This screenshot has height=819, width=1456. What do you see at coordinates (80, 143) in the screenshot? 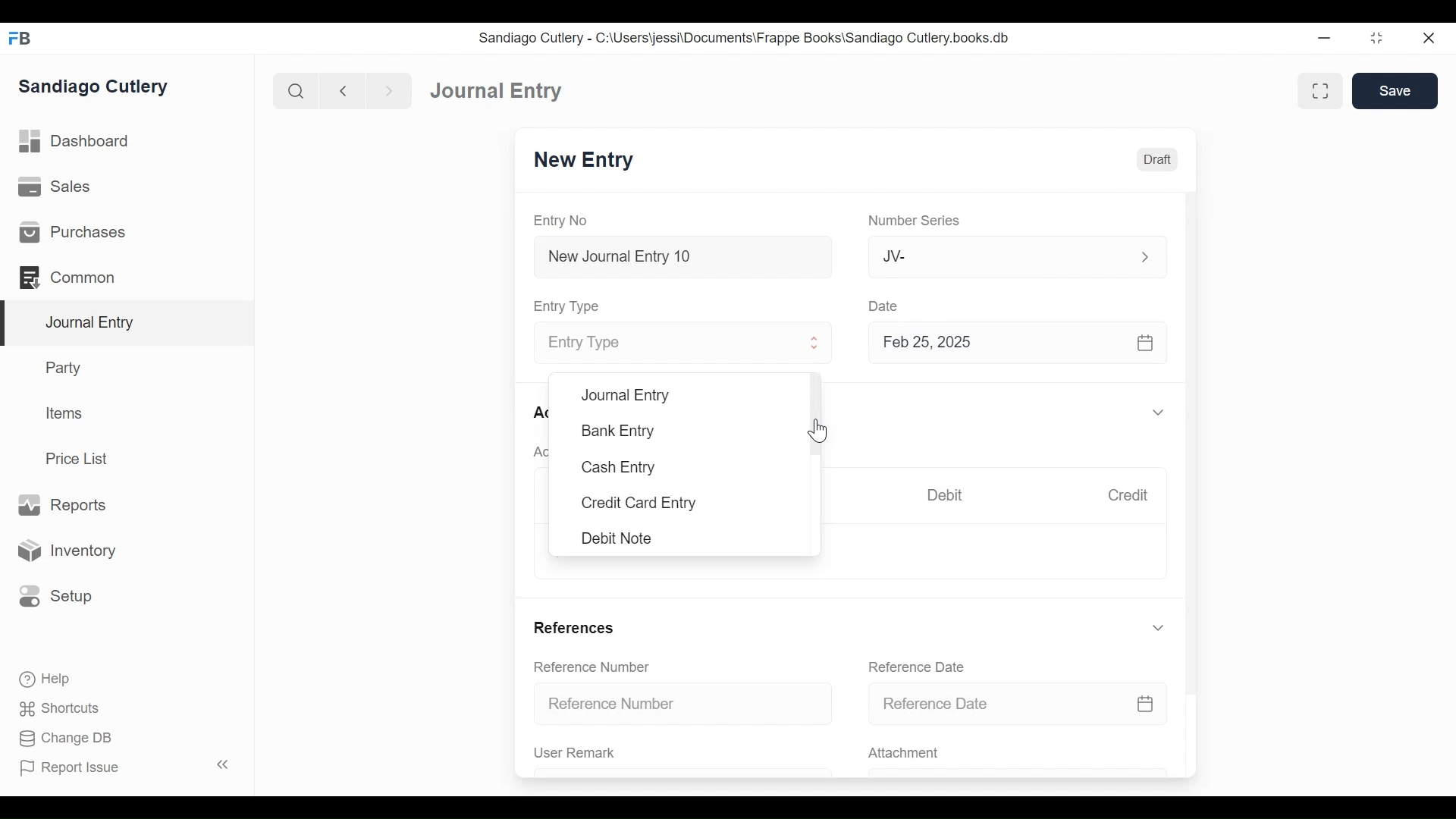
I see `Dashboard` at bounding box center [80, 143].